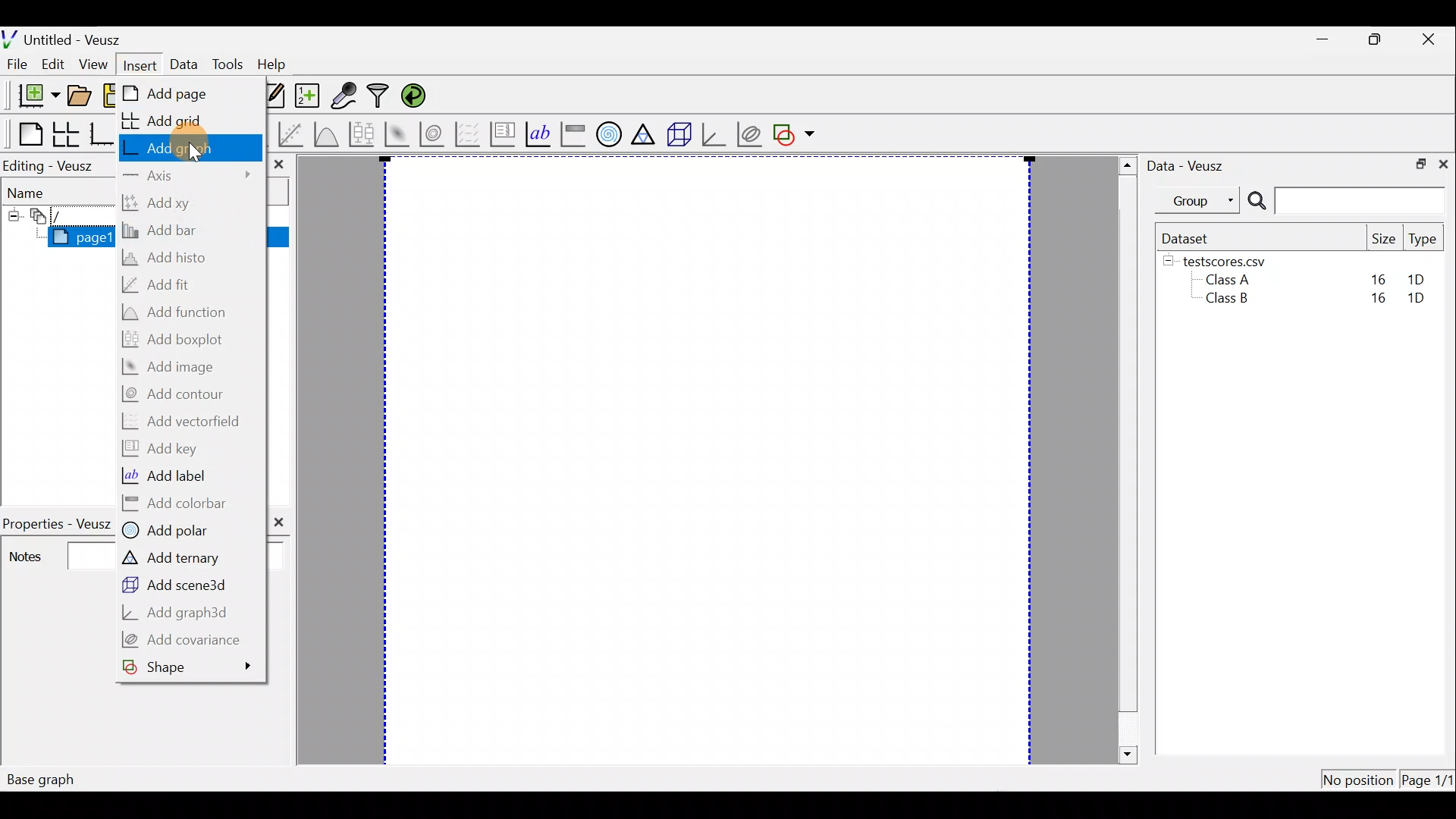 The height and width of the screenshot is (819, 1456). I want to click on Create new dataset using ranges, parametrically, or as functions of existing datasets., so click(305, 95).